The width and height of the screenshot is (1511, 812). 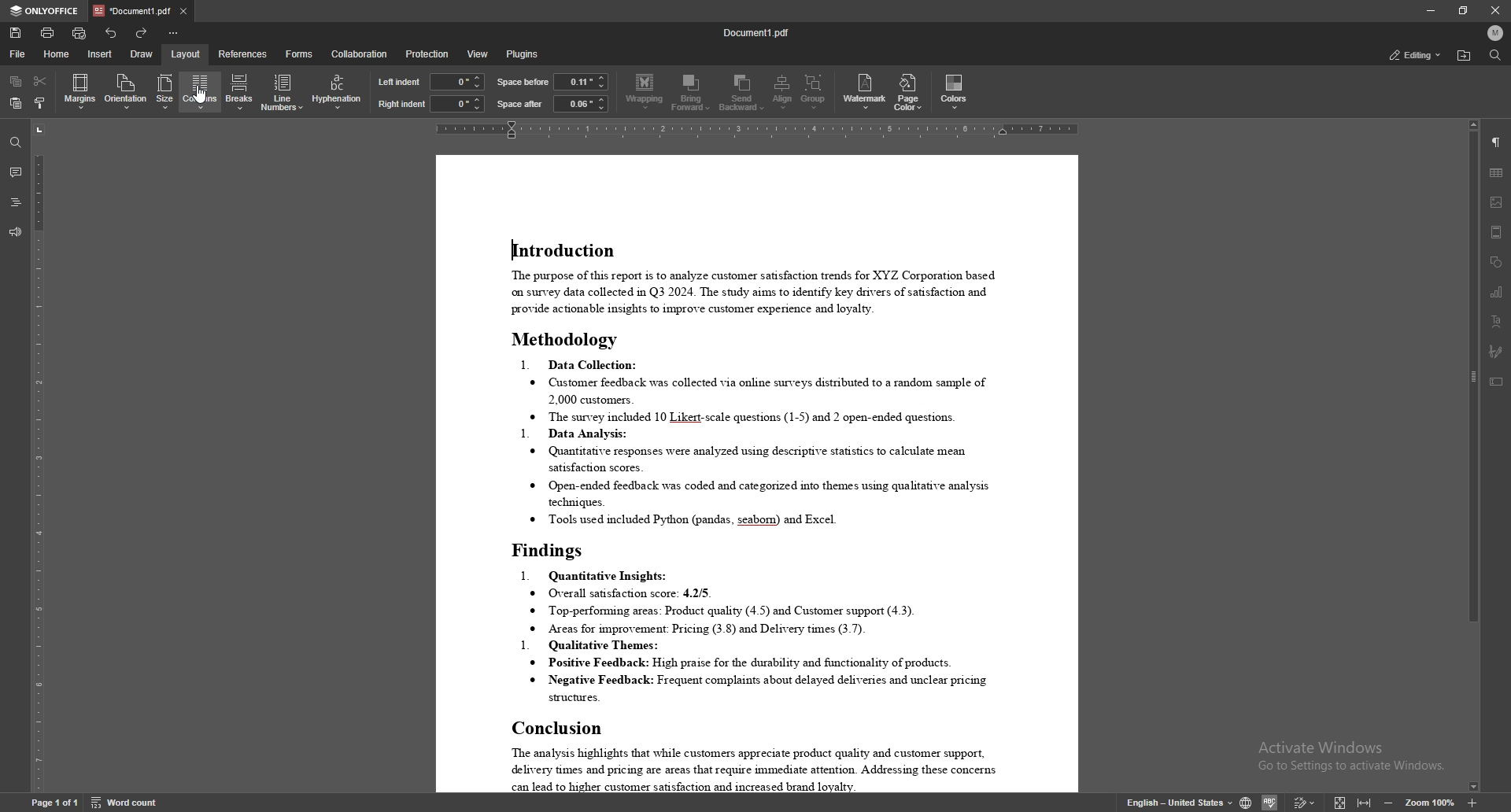 What do you see at coordinates (1497, 232) in the screenshot?
I see `header/footer` at bounding box center [1497, 232].